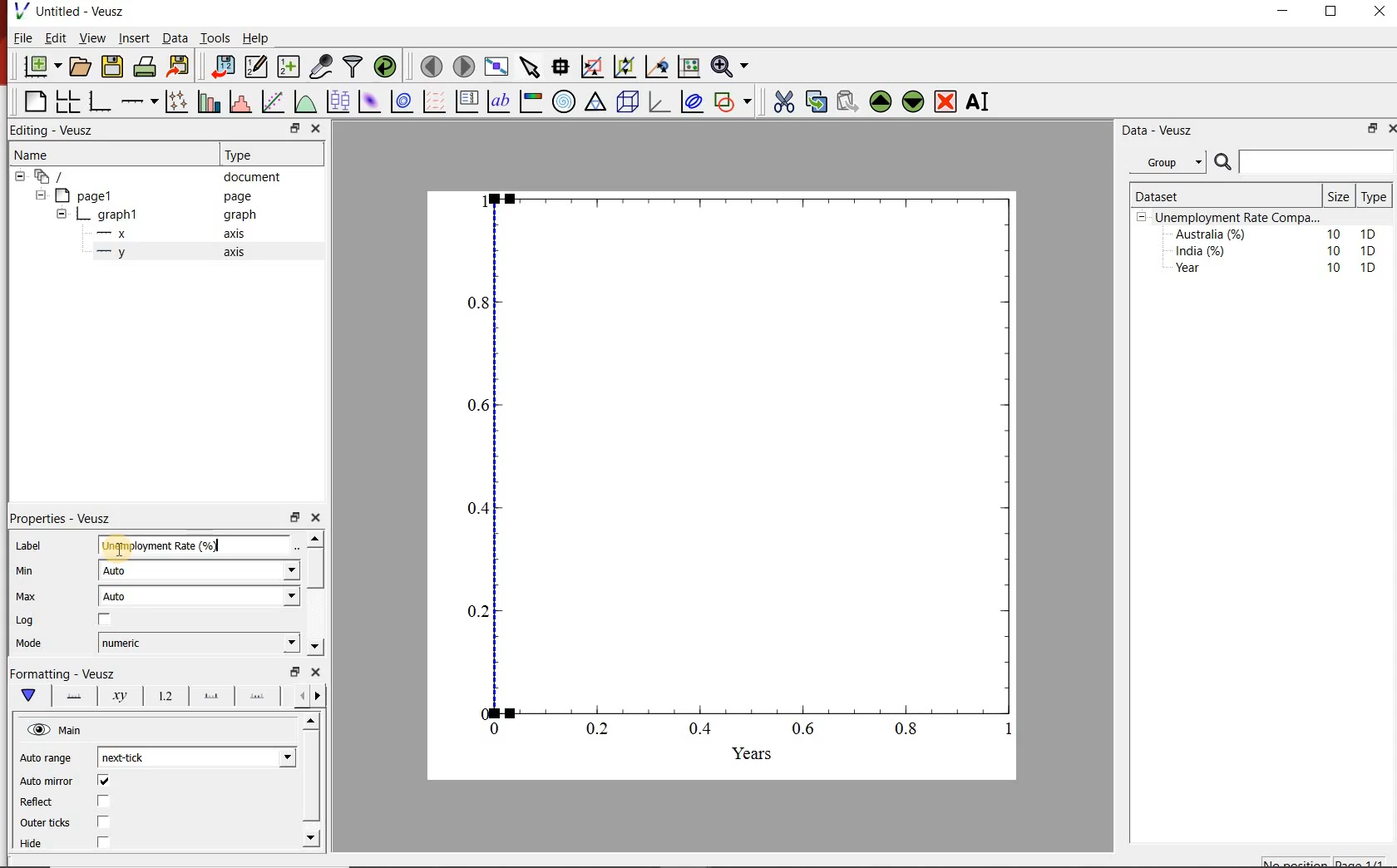 The width and height of the screenshot is (1397, 868). I want to click on minimise, so click(294, 516).